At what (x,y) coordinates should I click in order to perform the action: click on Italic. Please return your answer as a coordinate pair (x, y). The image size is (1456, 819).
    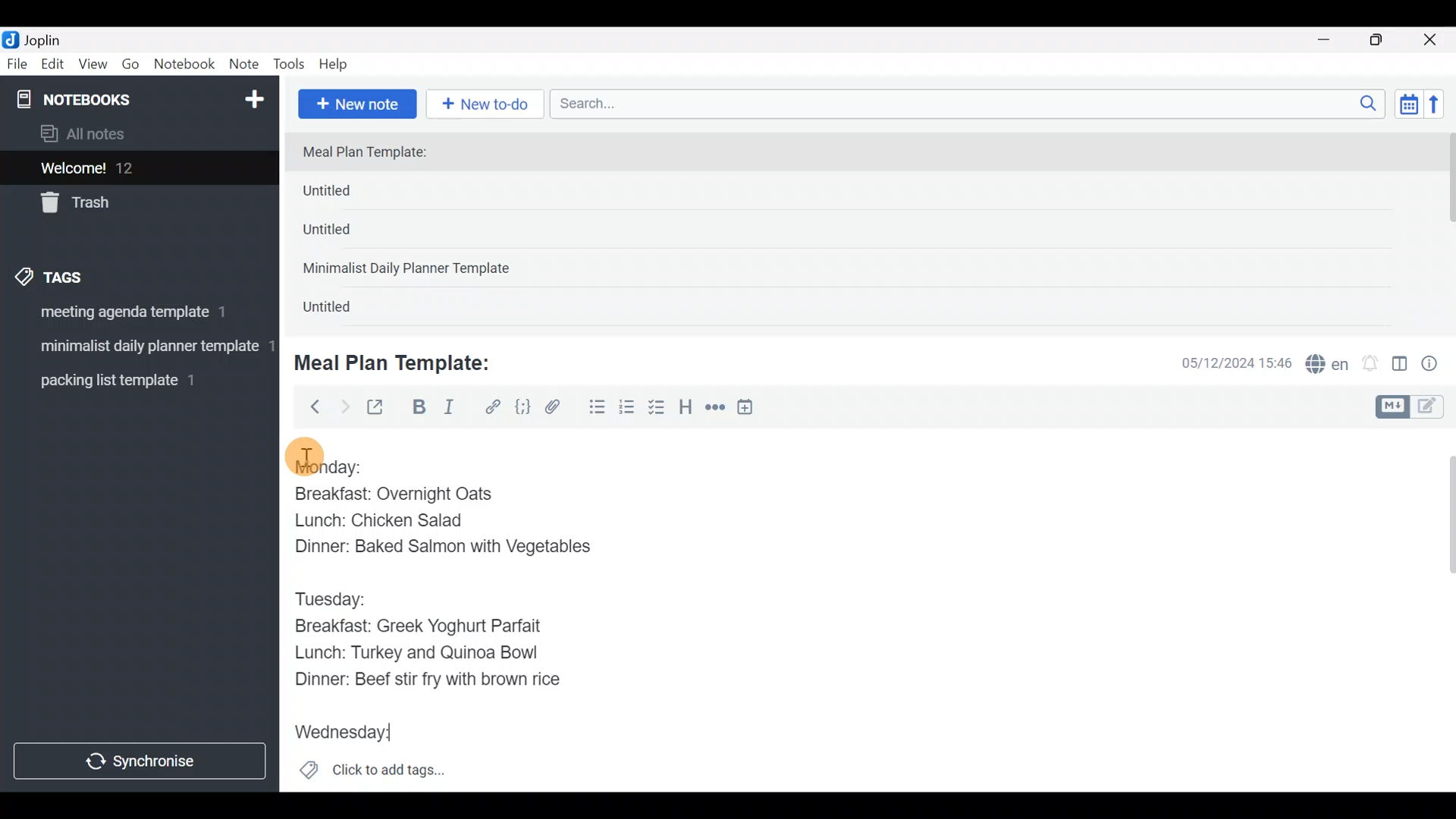
    Looking at the image, I should click on (447, 410).